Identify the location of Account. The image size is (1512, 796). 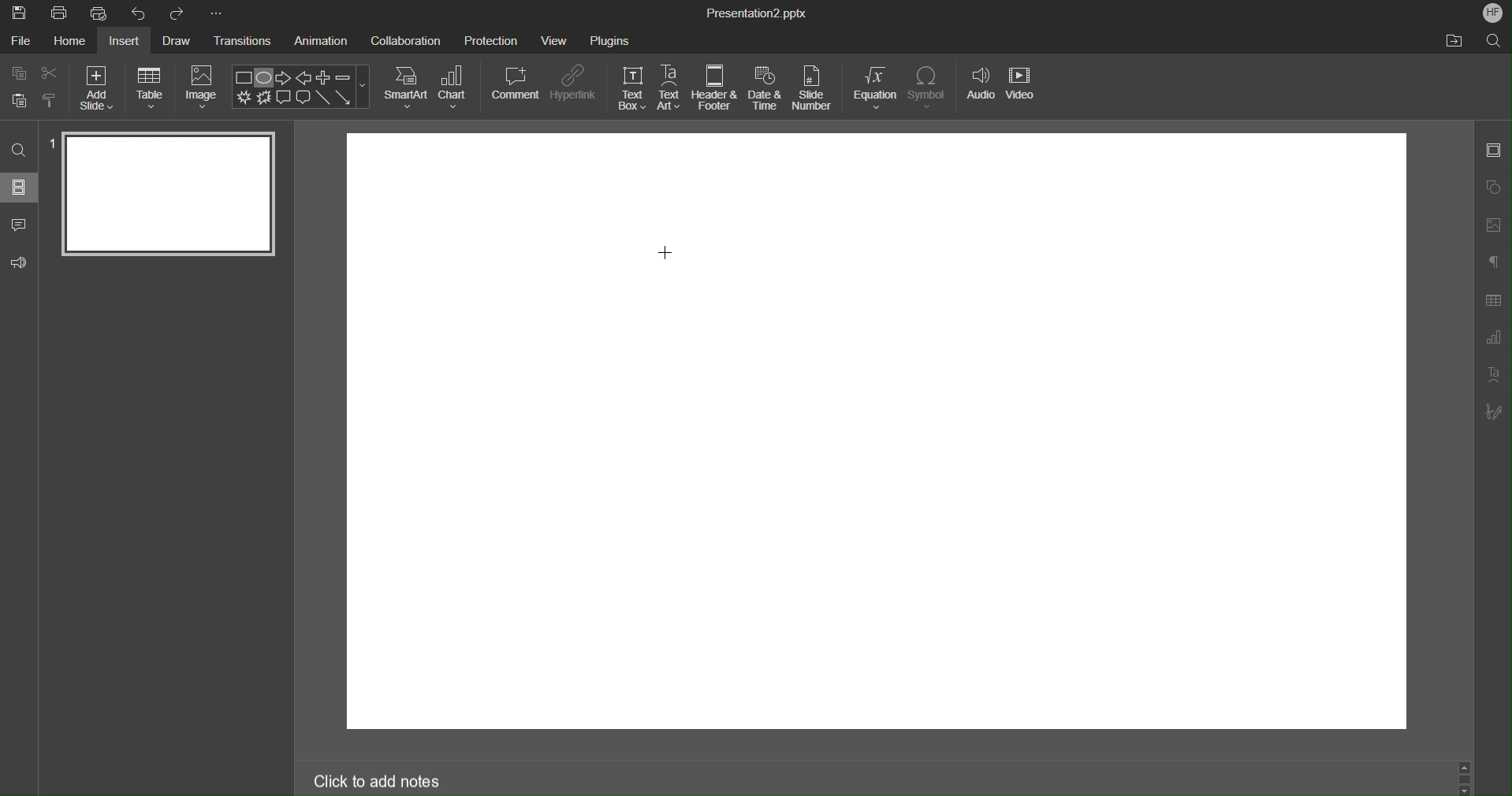
(1490, 12).